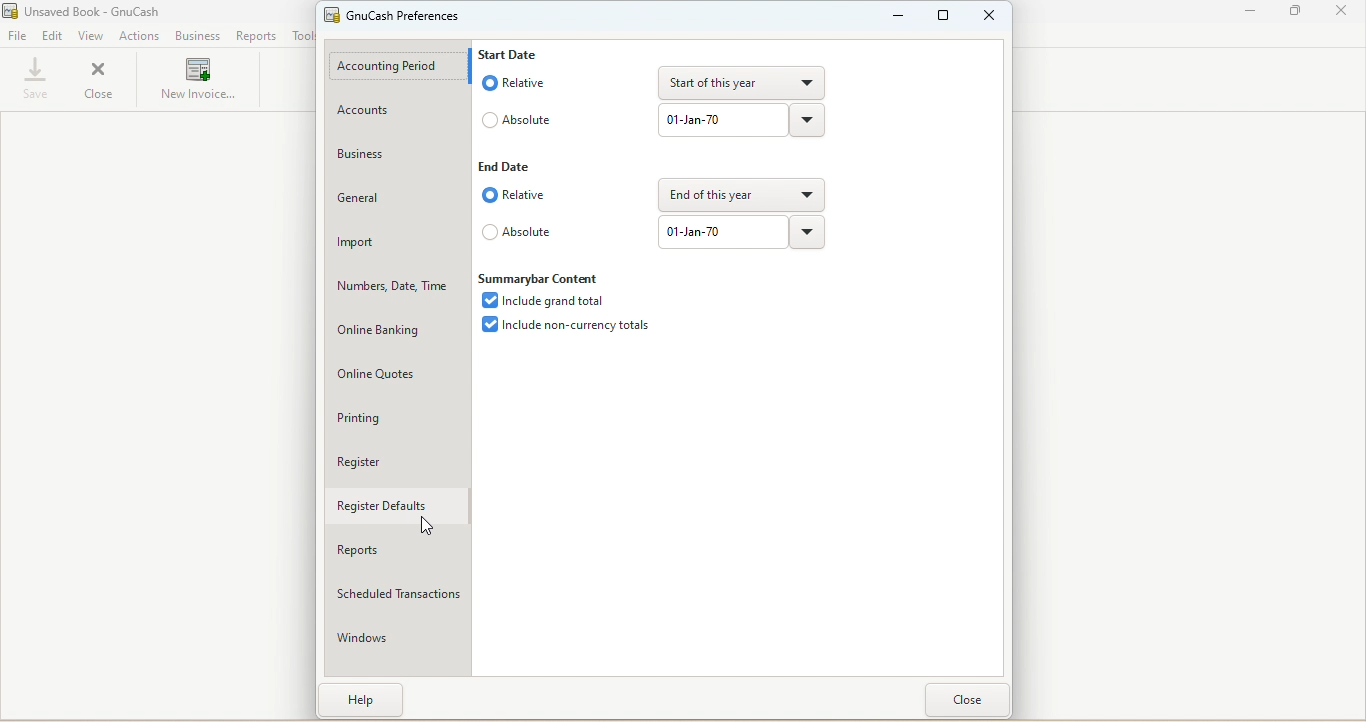 This screenshot has width=1366, height=722. Describe the element at coordinates (519, 232) in the screenshot. I see `Absolute` at that location.